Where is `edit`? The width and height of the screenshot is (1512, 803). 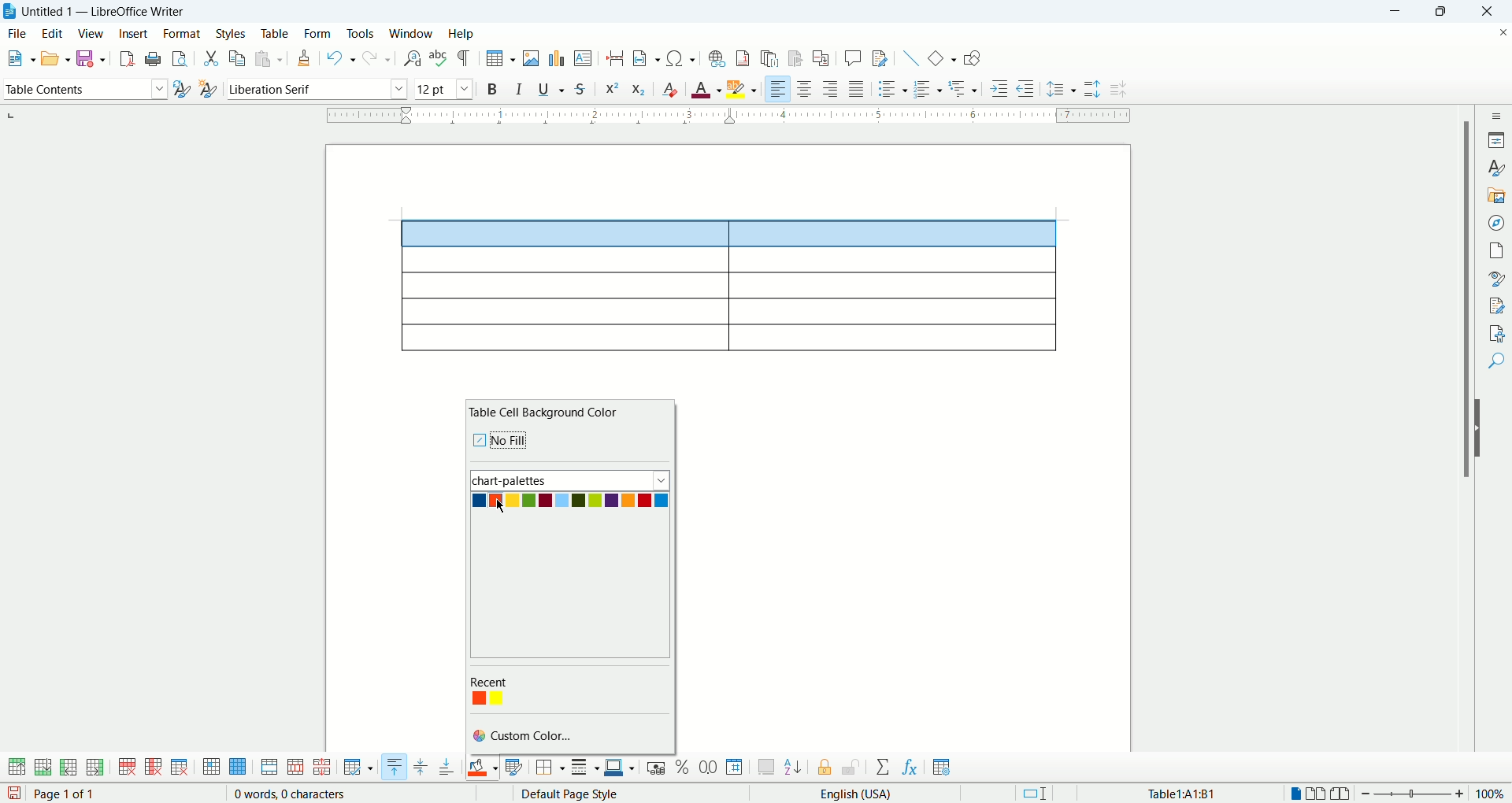
edit is located at coordinates (51, 33).